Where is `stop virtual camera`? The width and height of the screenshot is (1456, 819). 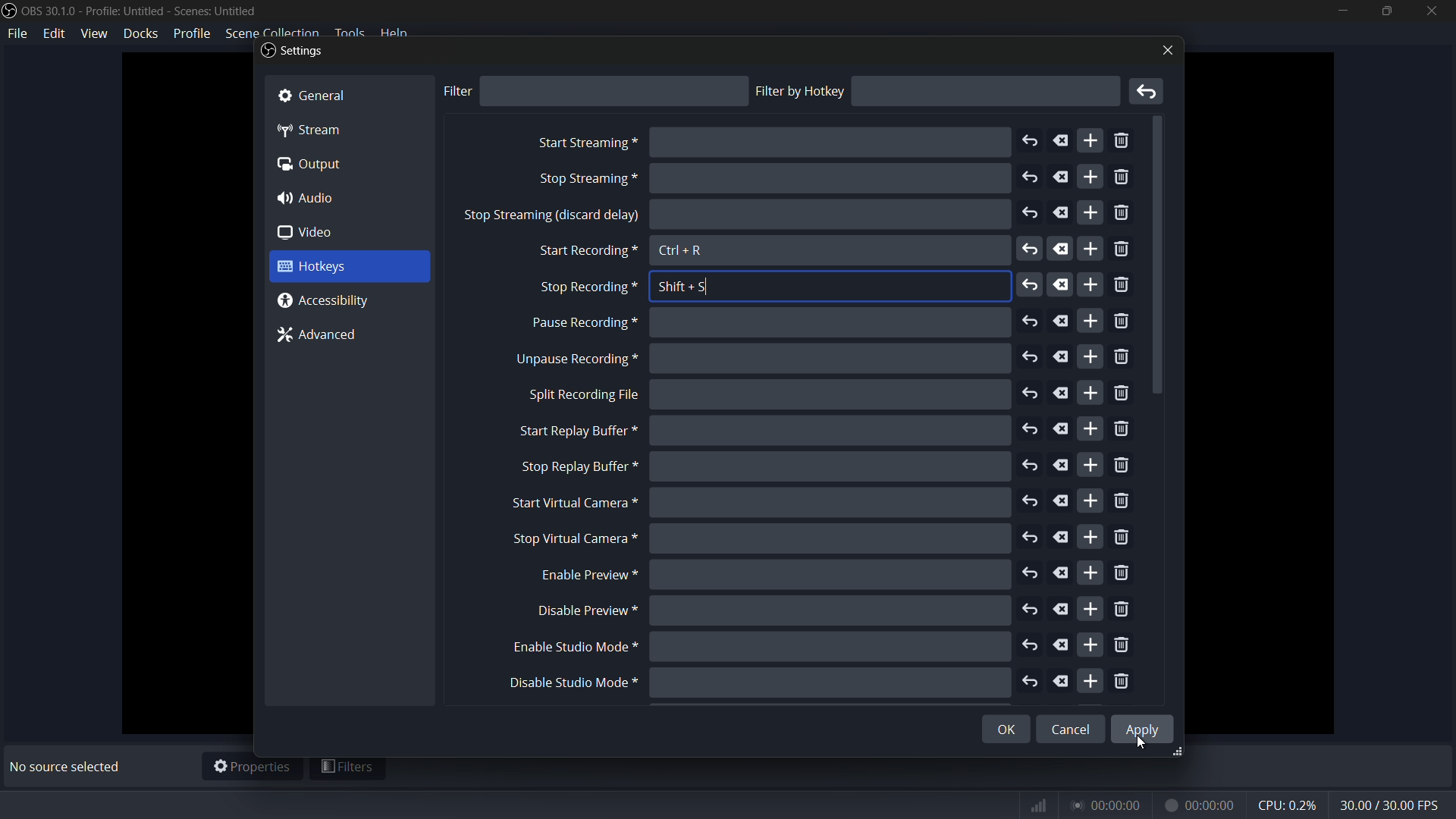 stop virtual camera is located at coordinates (571, 539).